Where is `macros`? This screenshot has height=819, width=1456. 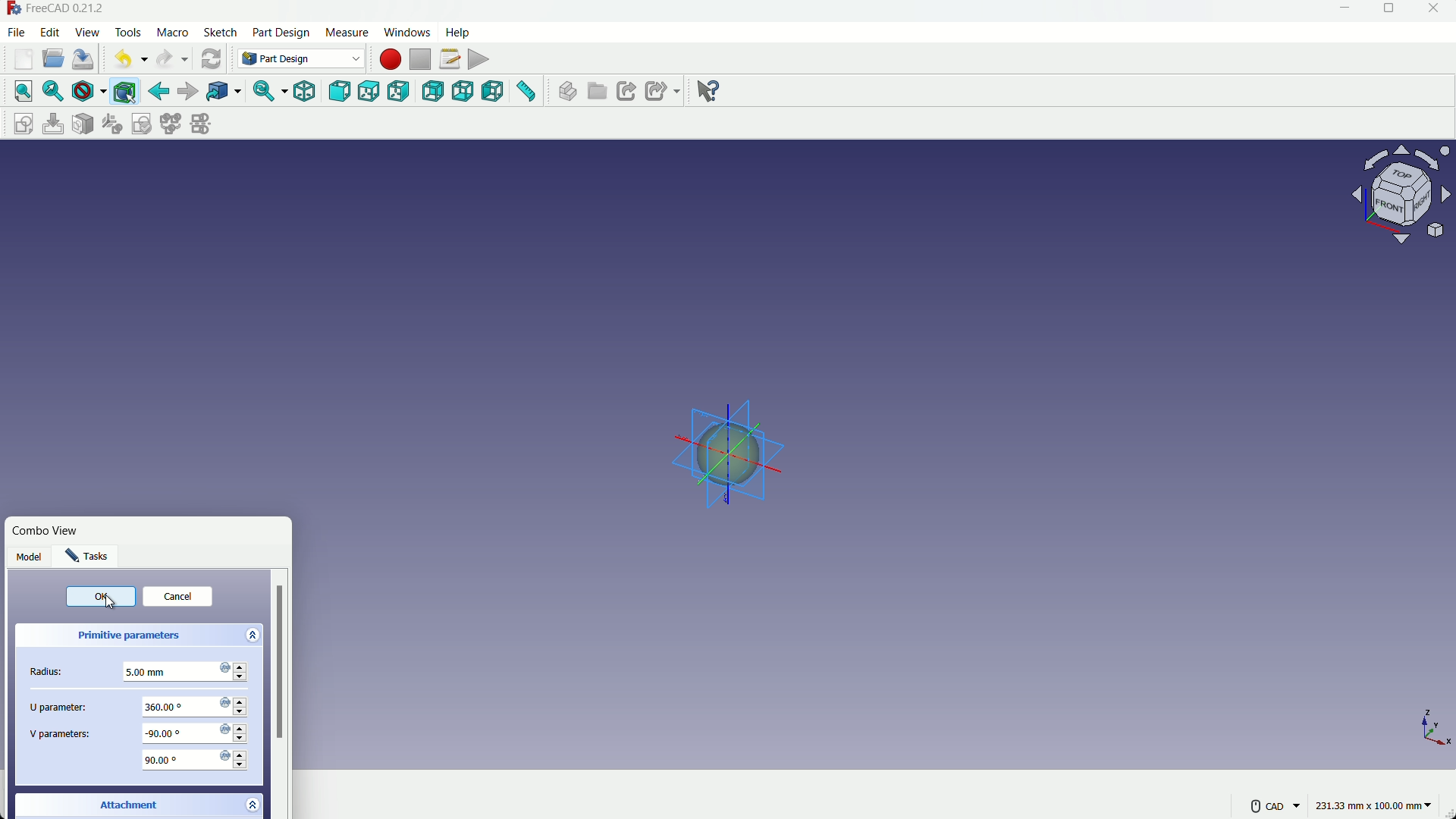 macros is located at coordinates (172, 33).